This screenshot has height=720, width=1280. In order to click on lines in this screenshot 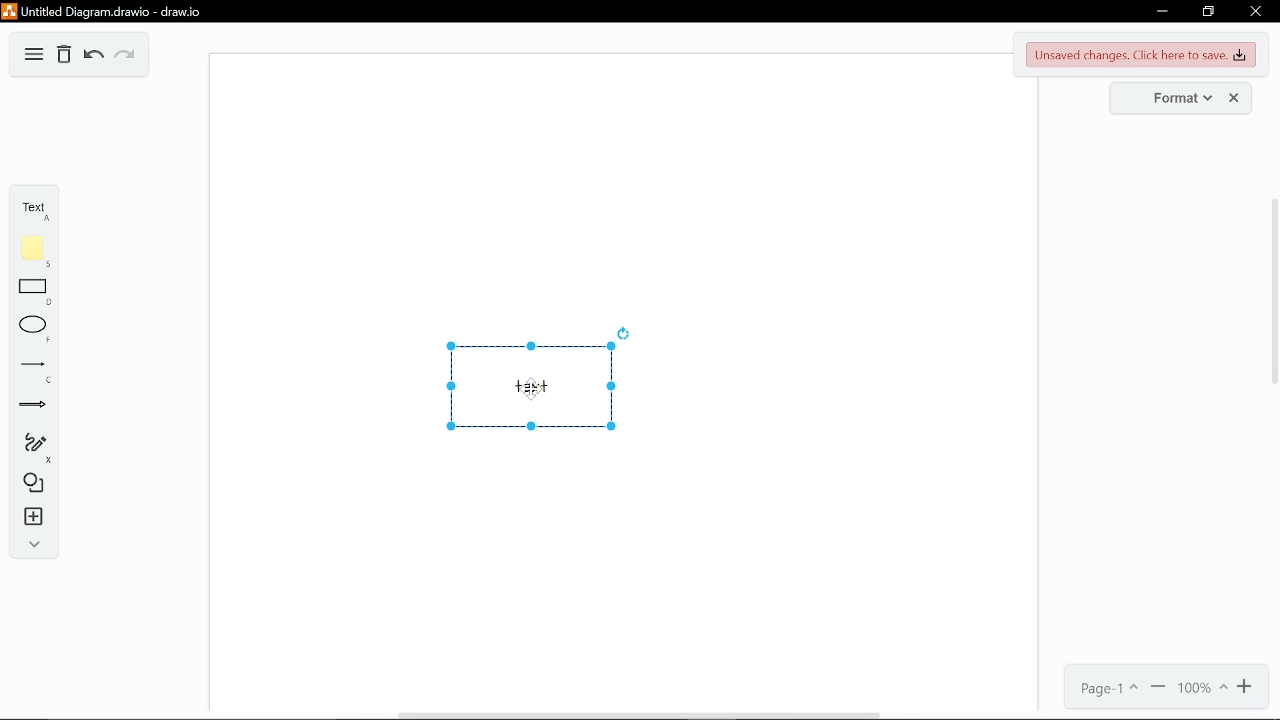, I will do `click(29, 371)`.